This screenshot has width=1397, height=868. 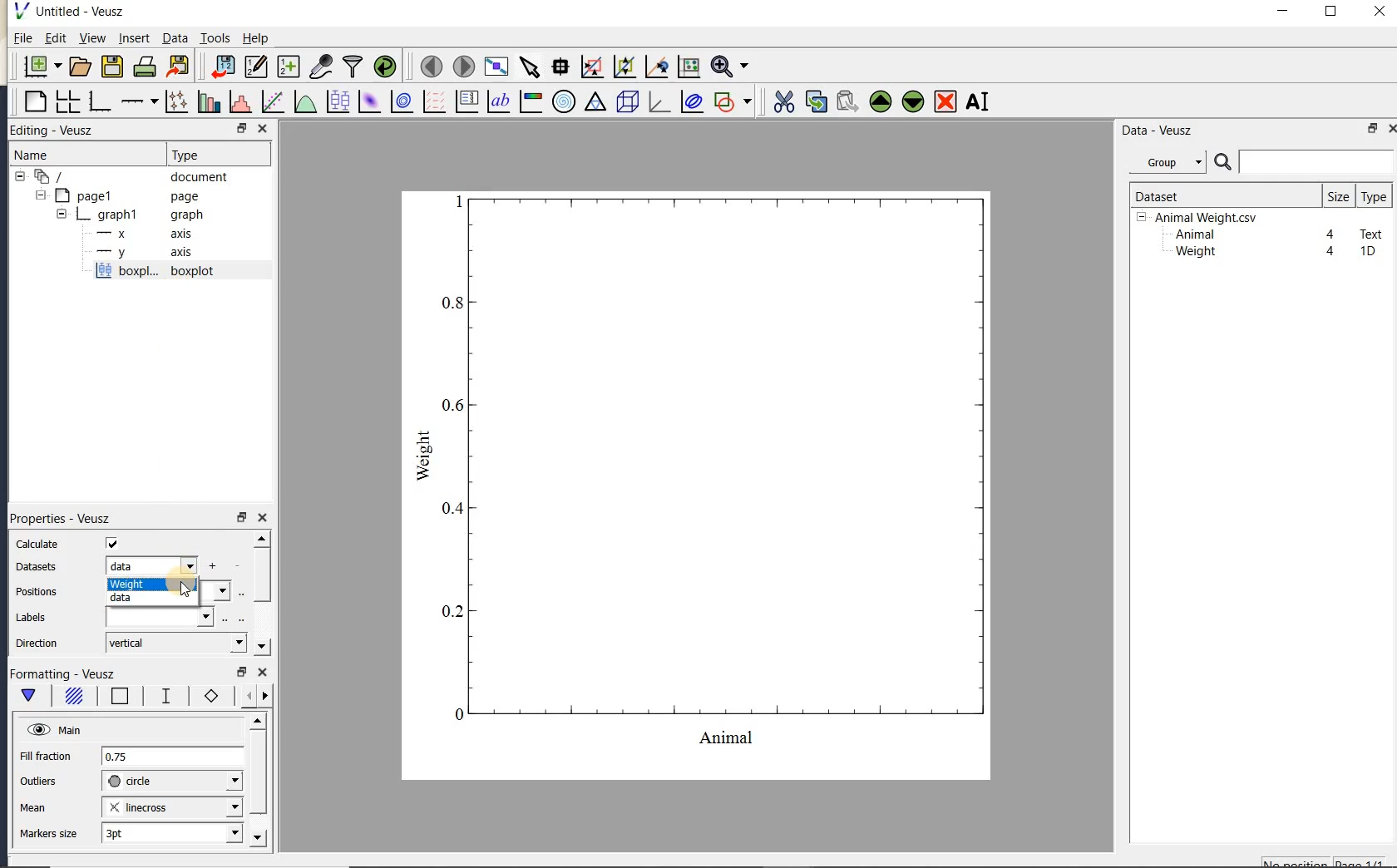 What do you see at coordinates (591, 67) in the screenshot?
I see `click or draw a rectangle to zoom graph axes` at bounding box center [591, 67].